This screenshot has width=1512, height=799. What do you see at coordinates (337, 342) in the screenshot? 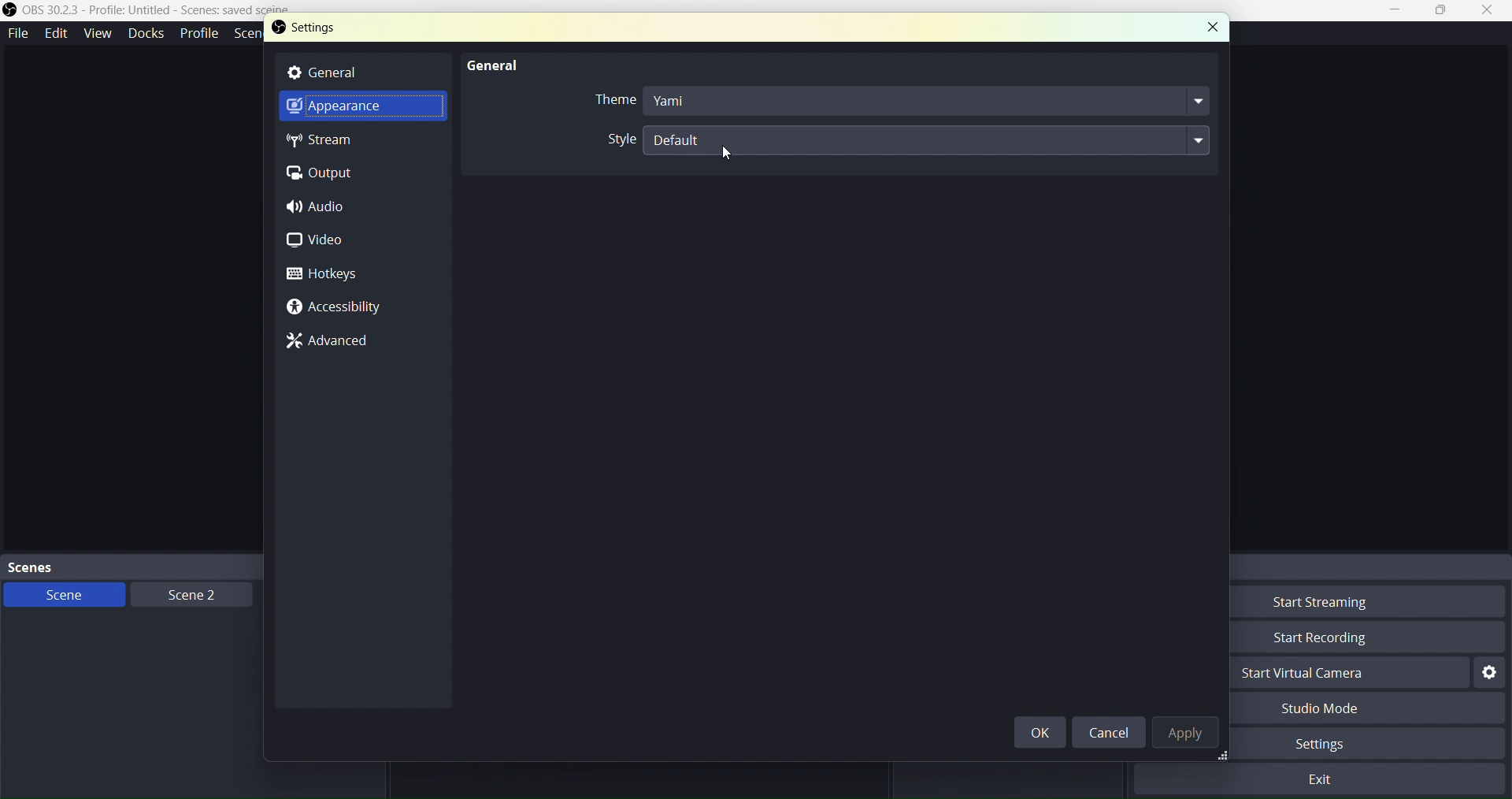
I see `Advanced` at bounding box center [337, 342].